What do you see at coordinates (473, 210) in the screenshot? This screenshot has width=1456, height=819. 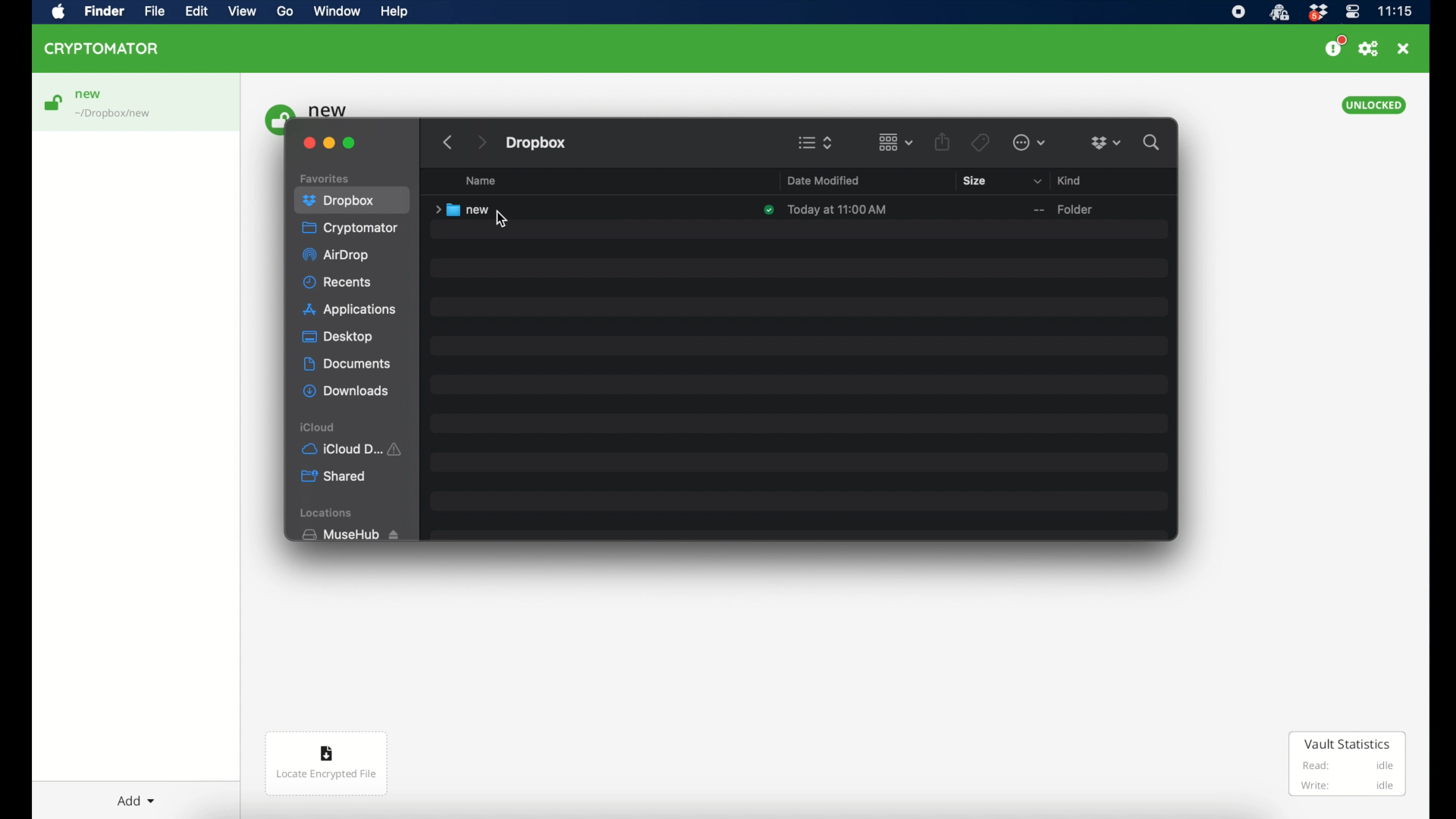 I see `new` at bounding box center [473, 210].